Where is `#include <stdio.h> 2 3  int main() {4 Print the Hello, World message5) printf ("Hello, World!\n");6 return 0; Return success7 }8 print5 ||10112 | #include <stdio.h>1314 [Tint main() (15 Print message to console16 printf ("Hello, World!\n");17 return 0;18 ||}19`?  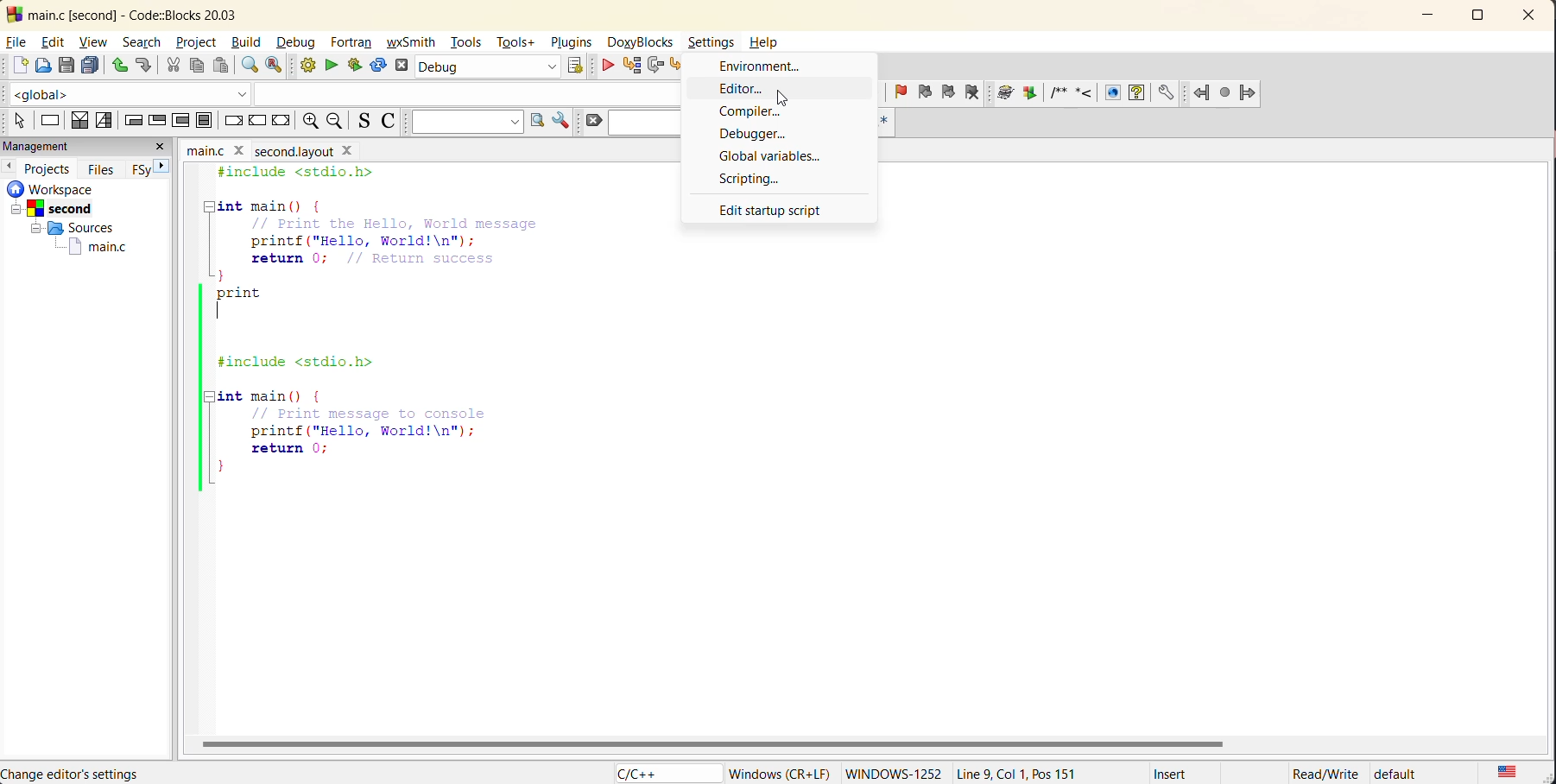
#include <stdio.h> 2 3  int main() {4 Print the Hello, World message5) printf ("Hello, World!\n");6 return 0; Return success7 }8 print5 ||10112 | #include <stdio.h>1314 [Tint main() (15 Print message to console16 printf ("Hello, World!\n");17 return 0;18 ||}19 is located at coordinates (362, 332).